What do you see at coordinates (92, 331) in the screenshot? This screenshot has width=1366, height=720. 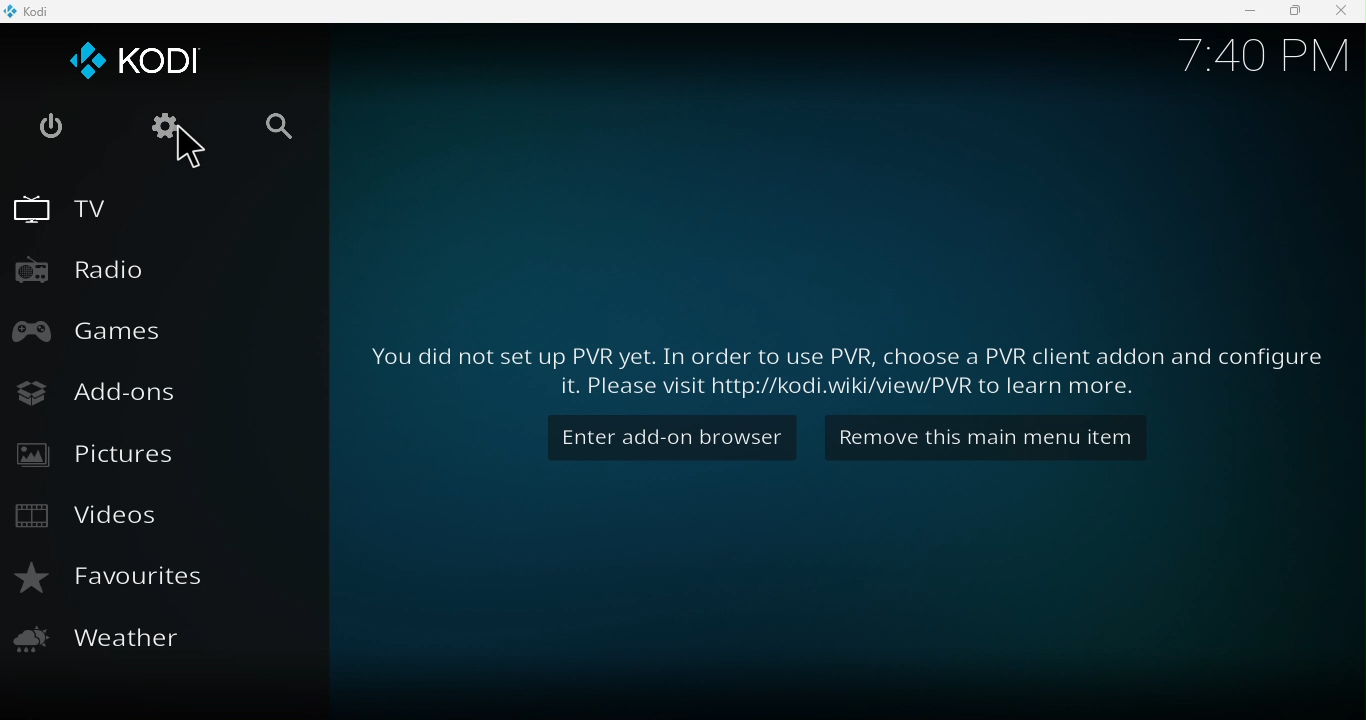 I see `Games` at bounding box center [92, 331].